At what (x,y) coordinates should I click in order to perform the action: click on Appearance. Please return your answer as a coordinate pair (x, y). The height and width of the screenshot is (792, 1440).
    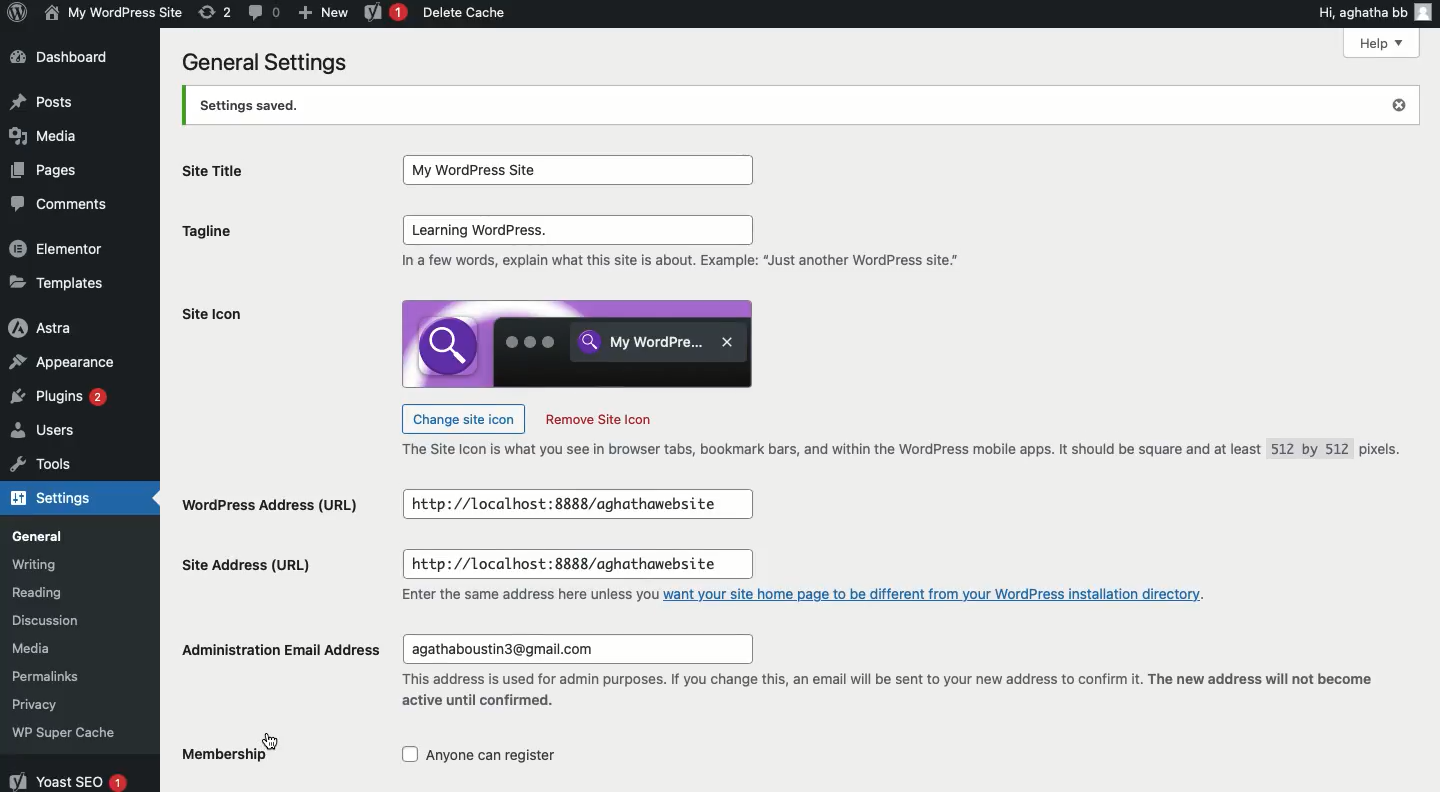
    Looking at the image, I should click on (70, 359).